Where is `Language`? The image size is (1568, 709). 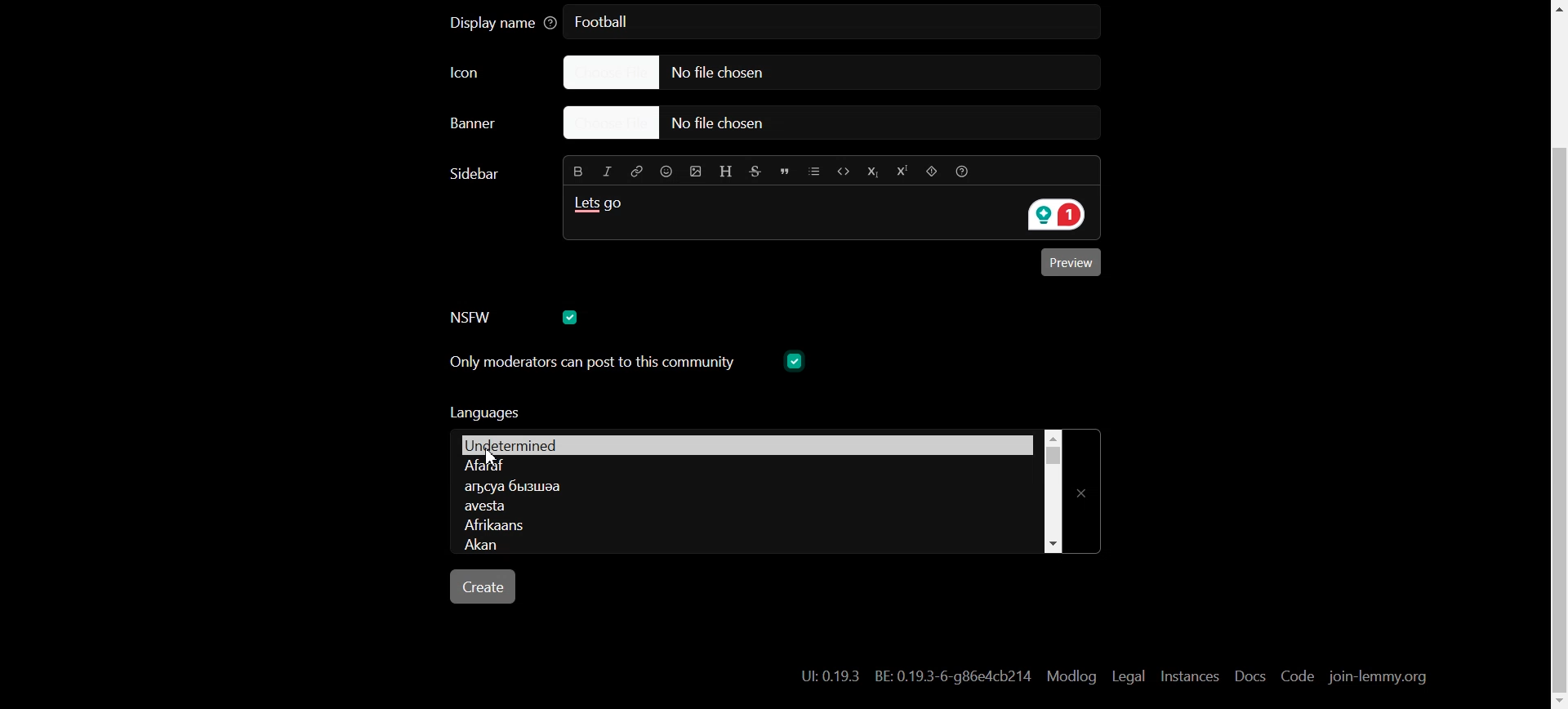
Language is located at coordinates (744, 465).